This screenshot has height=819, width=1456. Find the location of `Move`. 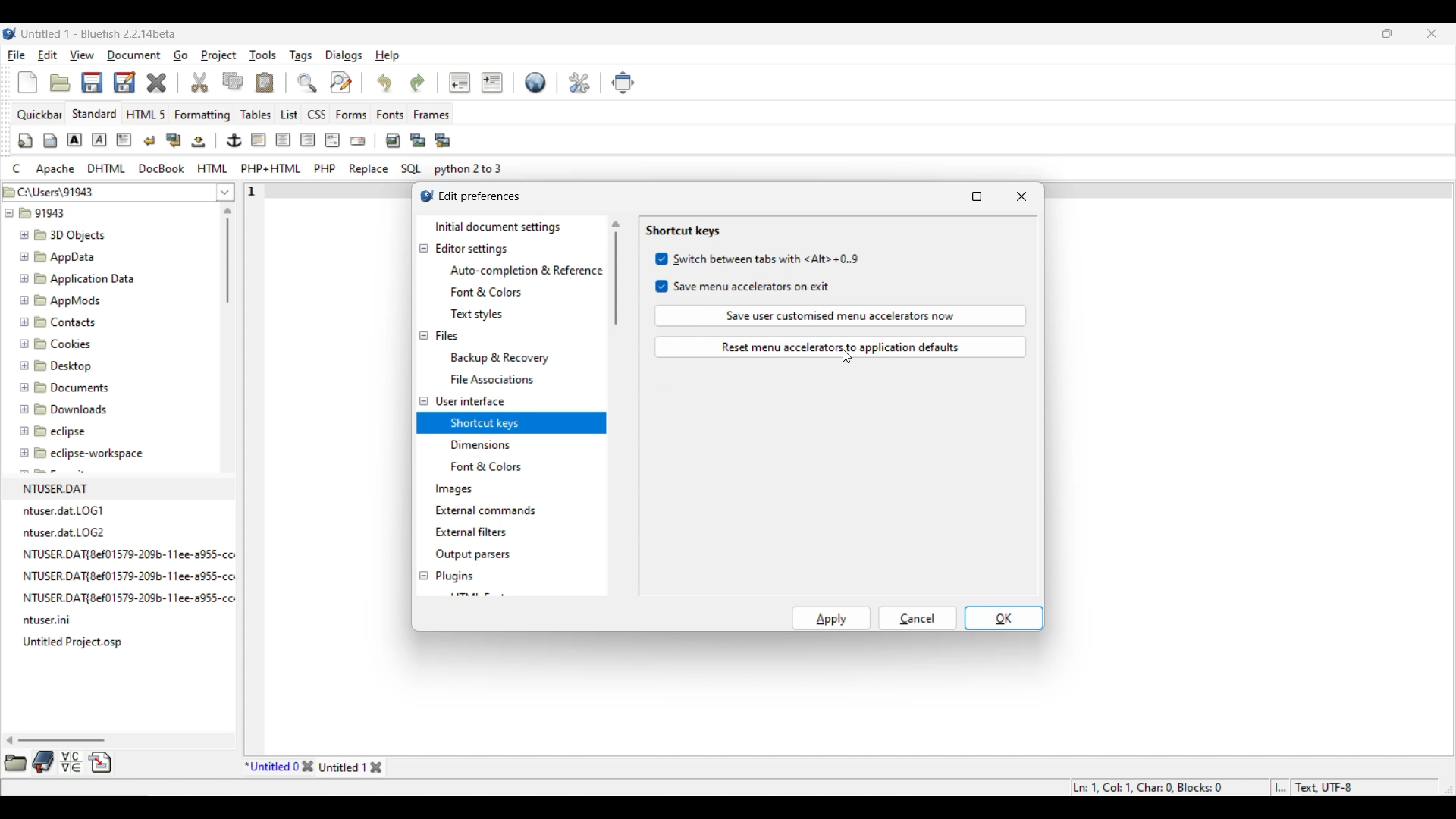

Move is located at coordinates (623, 83).